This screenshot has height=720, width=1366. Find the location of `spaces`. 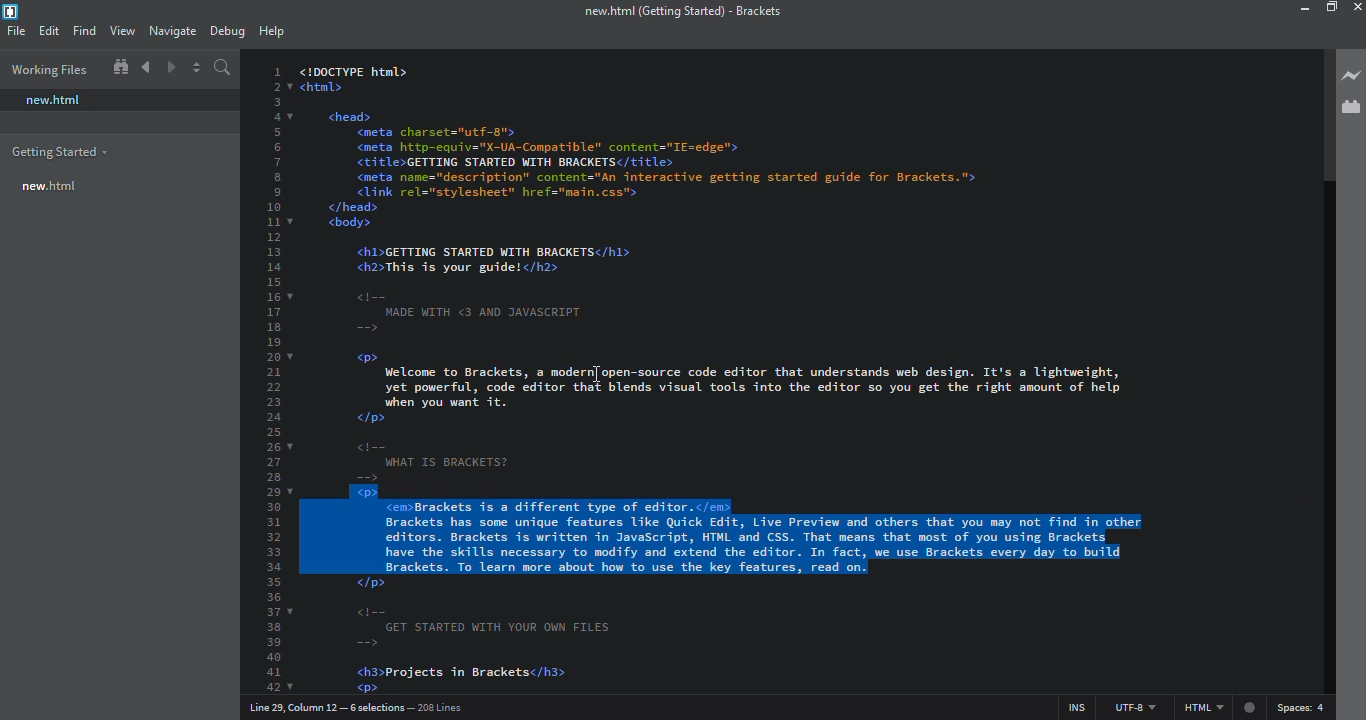

spaces is located at coordinates (1302, 709).